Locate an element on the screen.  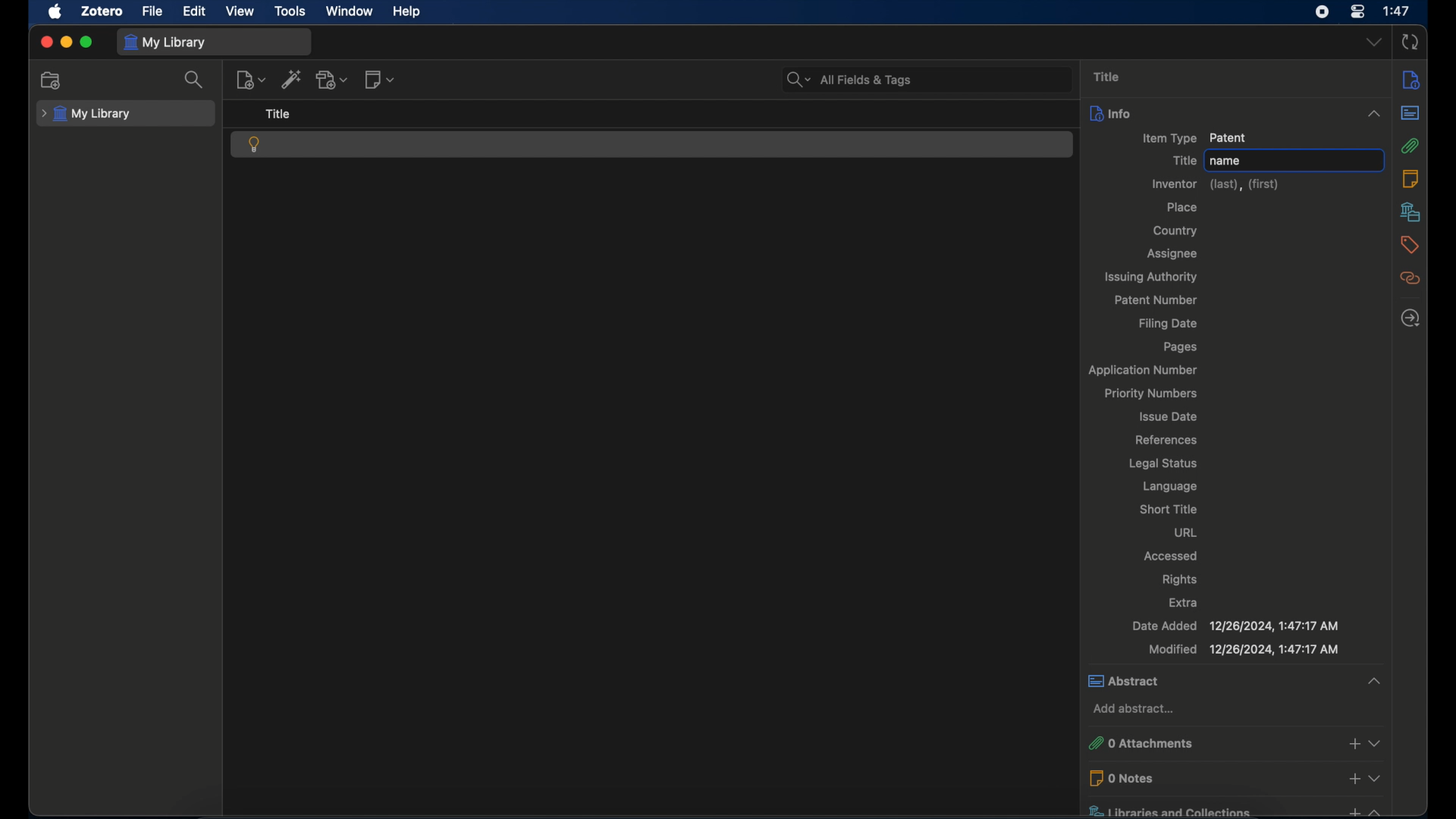
tools is located at coordinates (290, 11).